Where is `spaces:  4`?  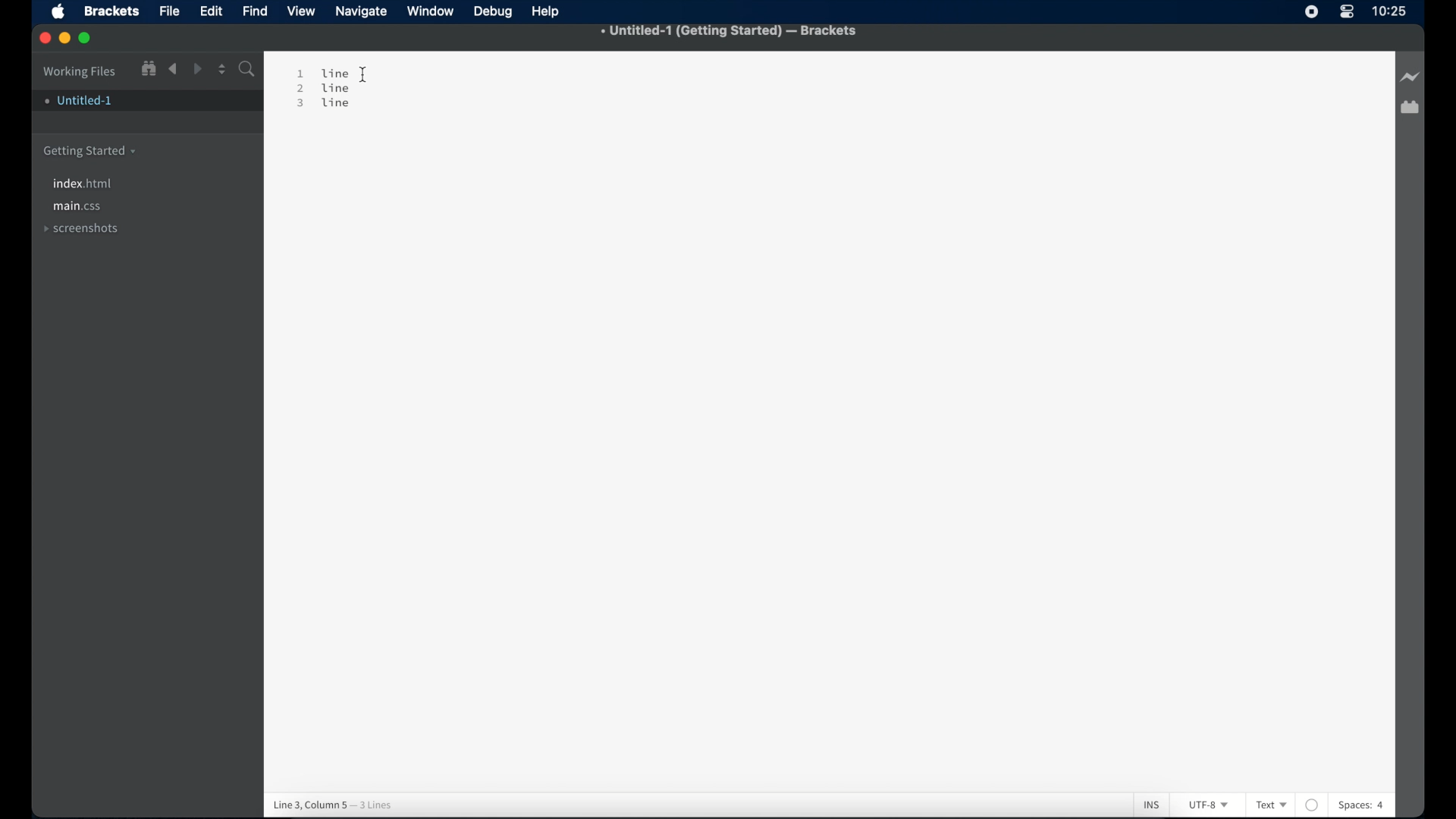 spaces:  4 is located at coordinates (1385, 805).